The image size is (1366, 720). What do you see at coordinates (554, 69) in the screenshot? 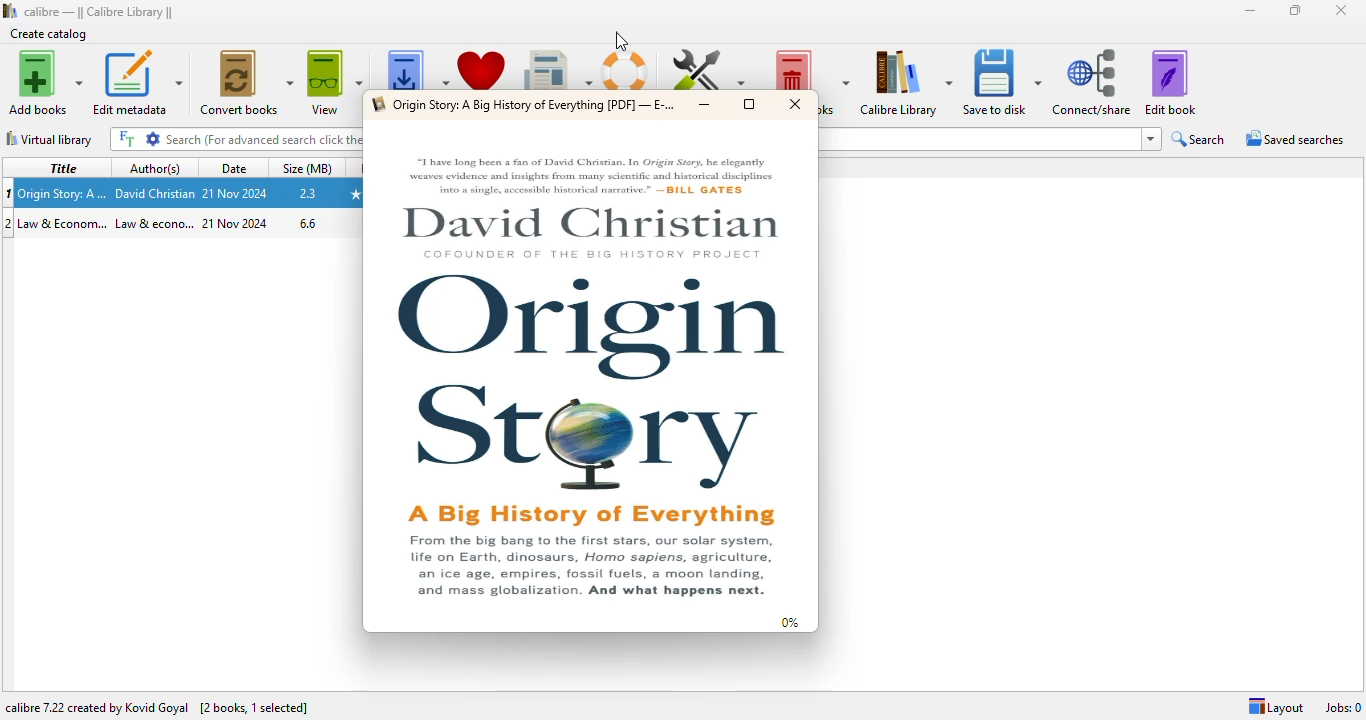
I see `fetch news` at bounding box center [554, 69].